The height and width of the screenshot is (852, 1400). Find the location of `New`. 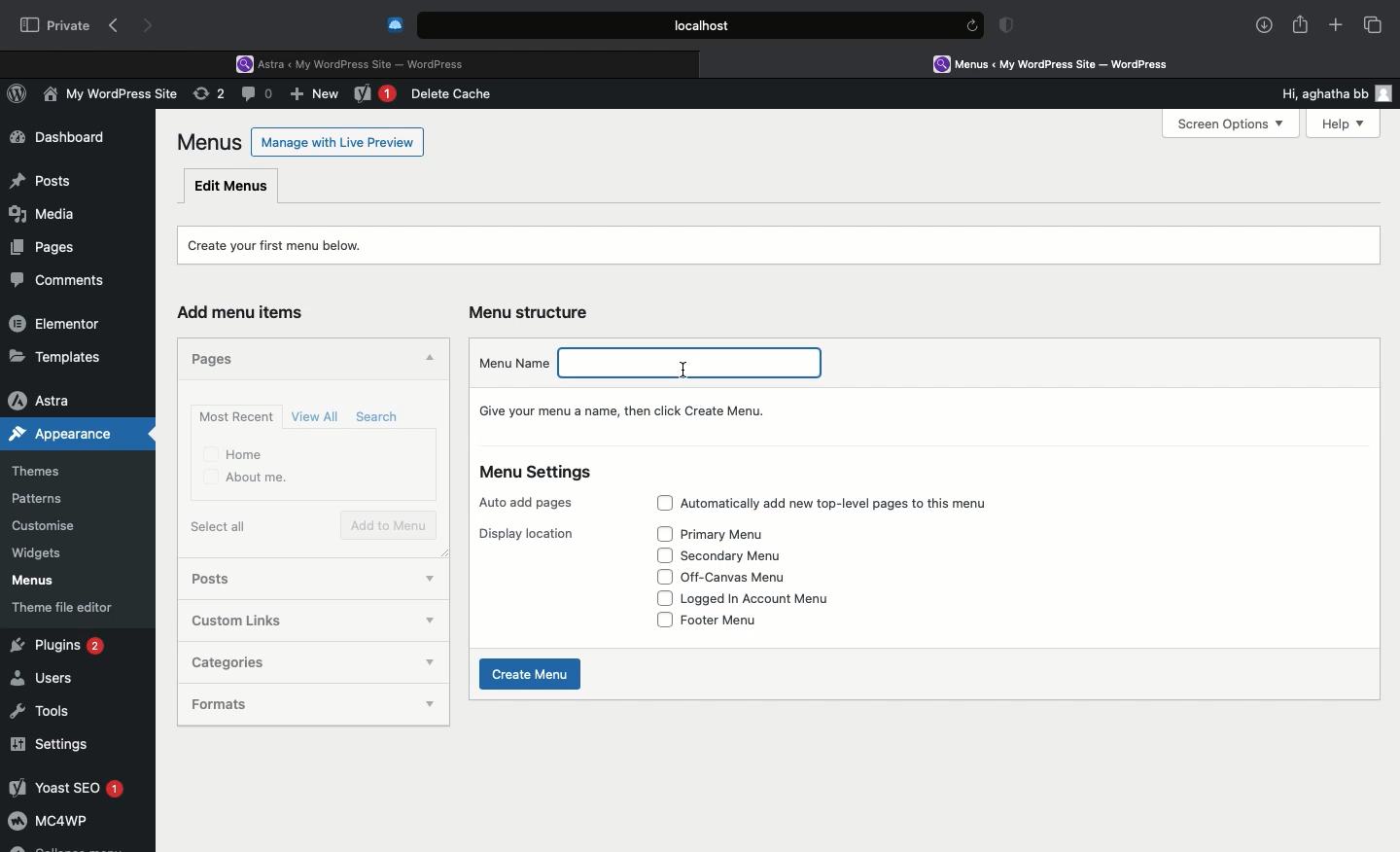

New is located at coordinates (317, 96).